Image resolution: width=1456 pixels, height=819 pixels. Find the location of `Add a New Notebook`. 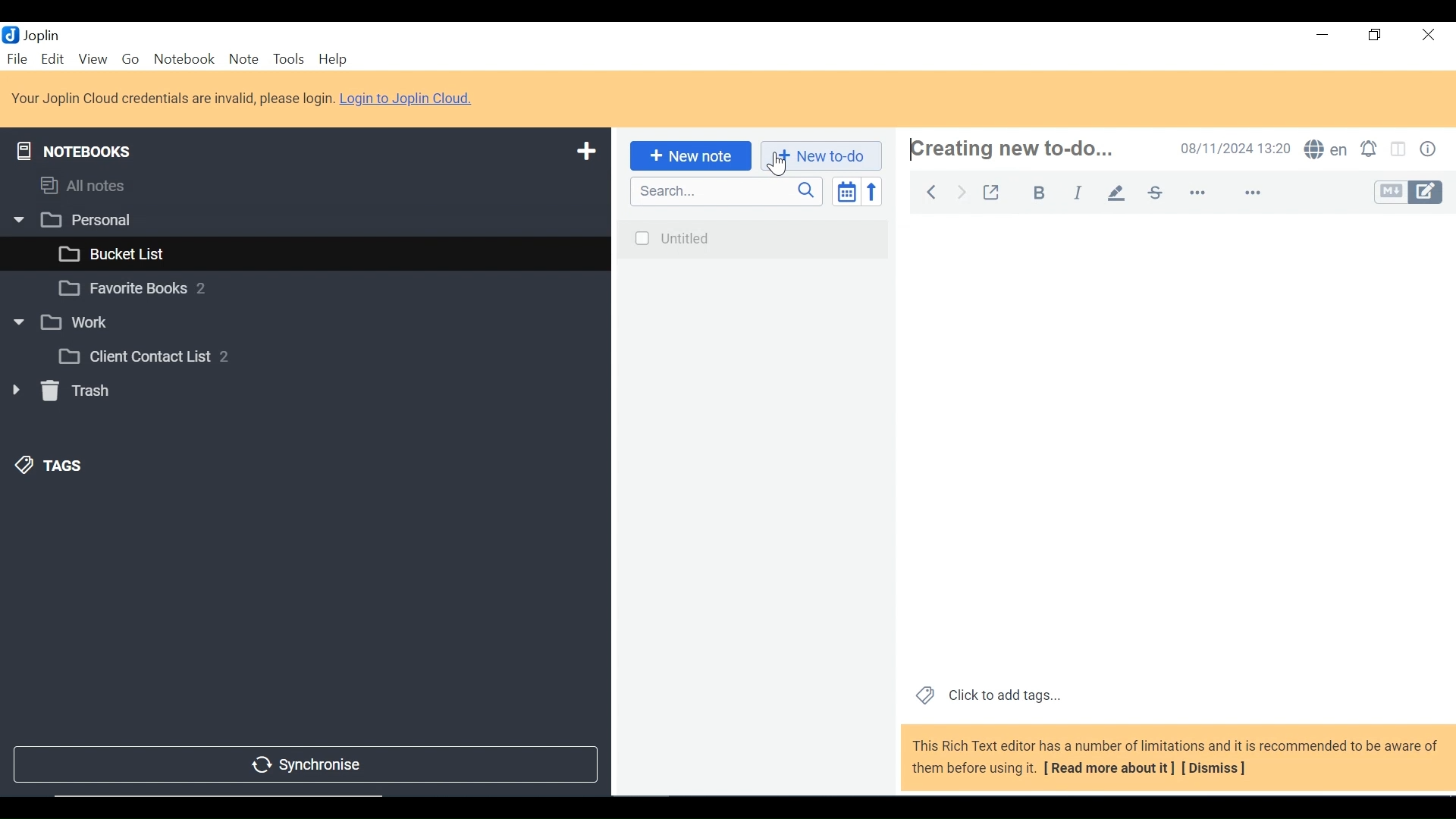

Add a New Notebook is located at coordinates (588, 149).